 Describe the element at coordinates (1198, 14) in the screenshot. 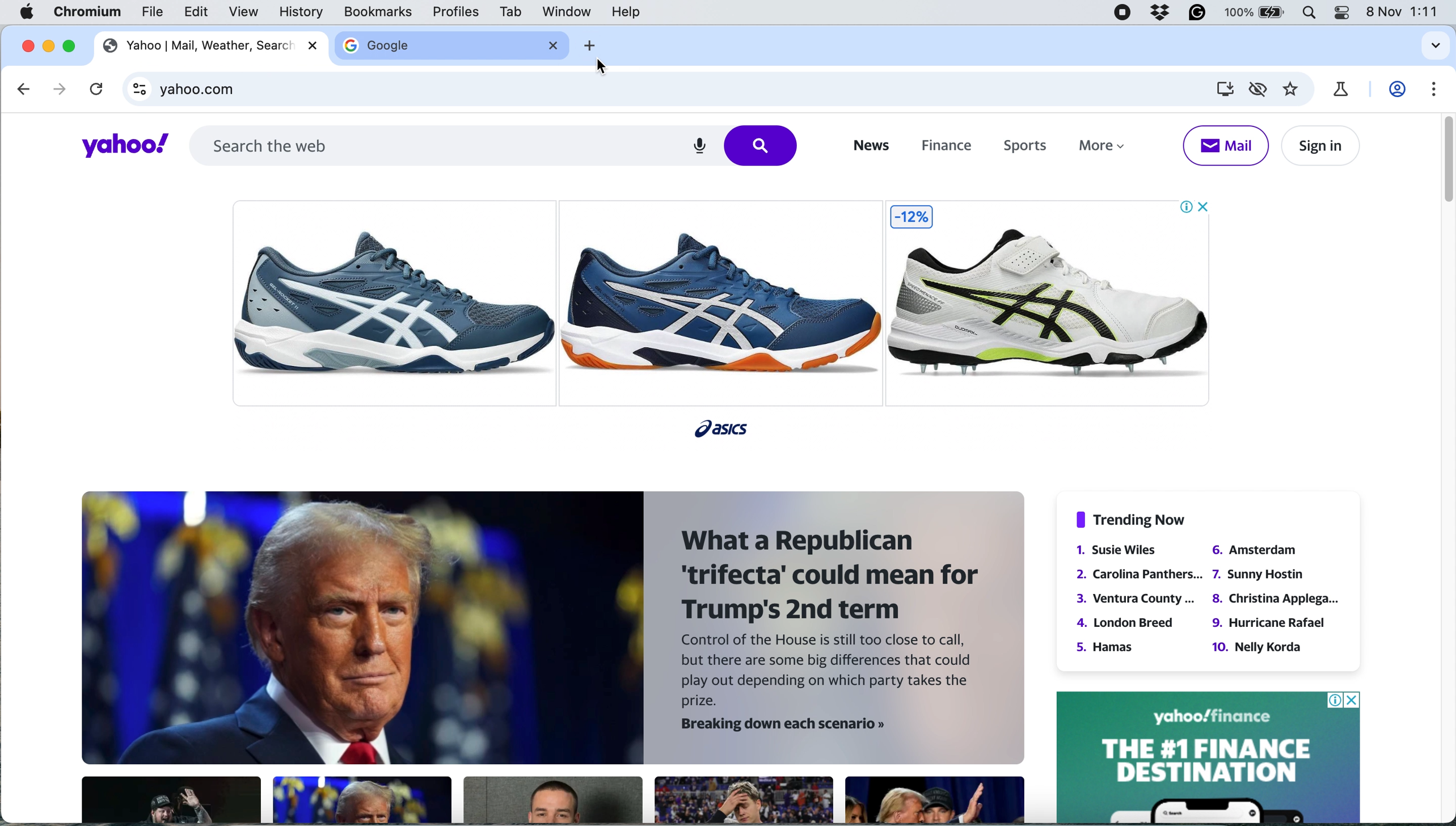

I see `grammarly` at that location.